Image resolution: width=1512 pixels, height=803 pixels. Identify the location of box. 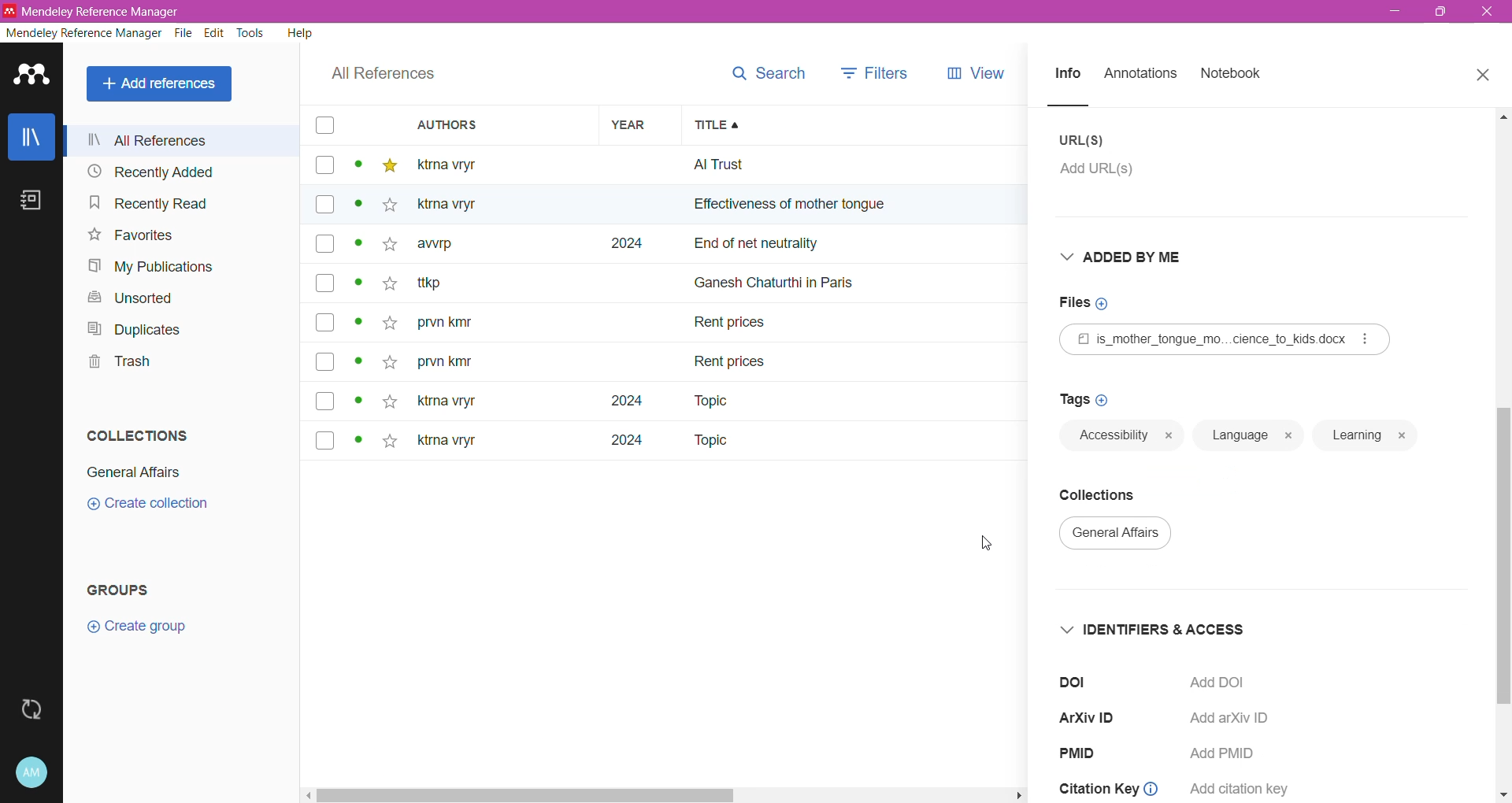
(325, 246).